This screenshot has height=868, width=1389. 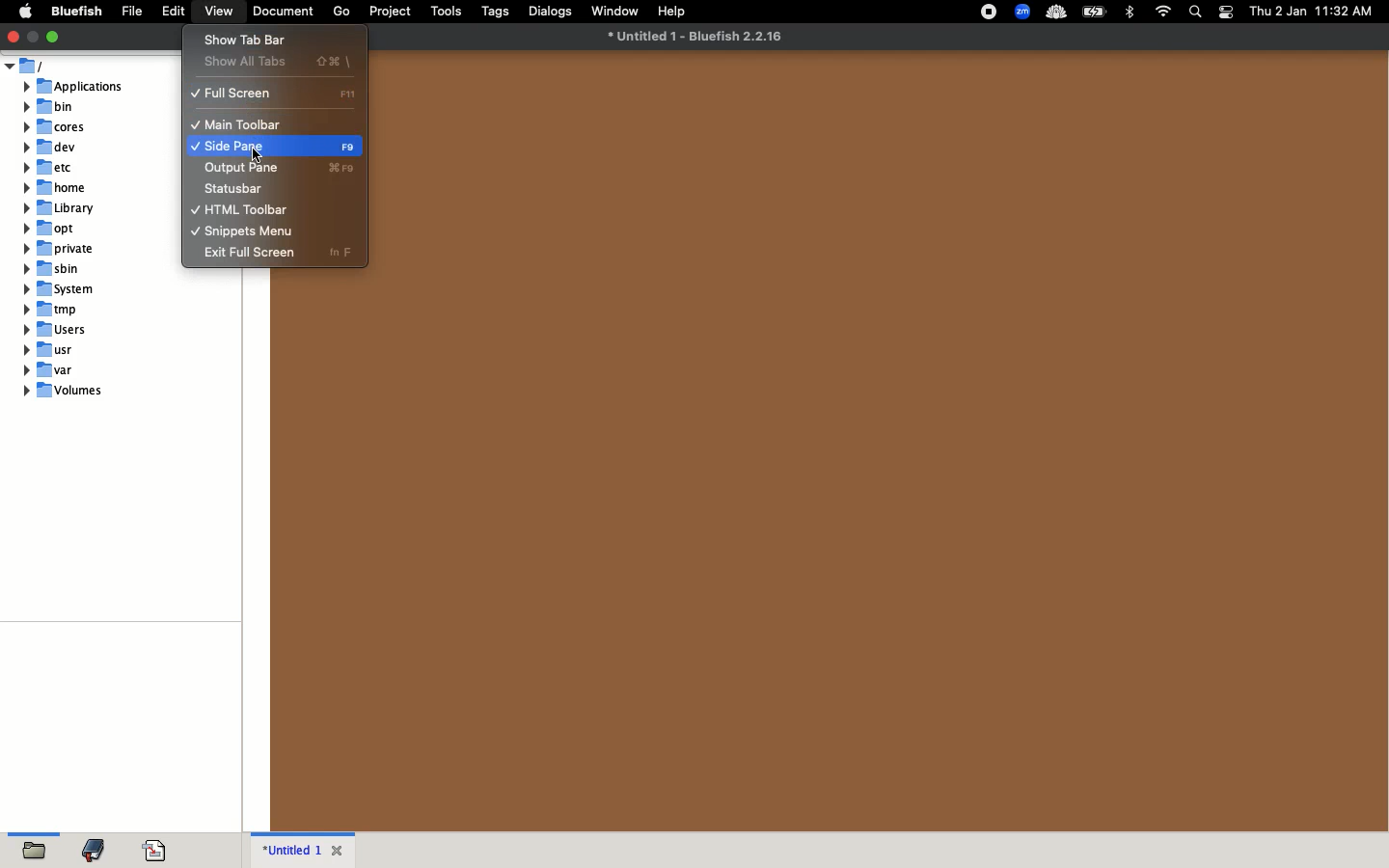 I want to click on home, so click(x=55, y=187).